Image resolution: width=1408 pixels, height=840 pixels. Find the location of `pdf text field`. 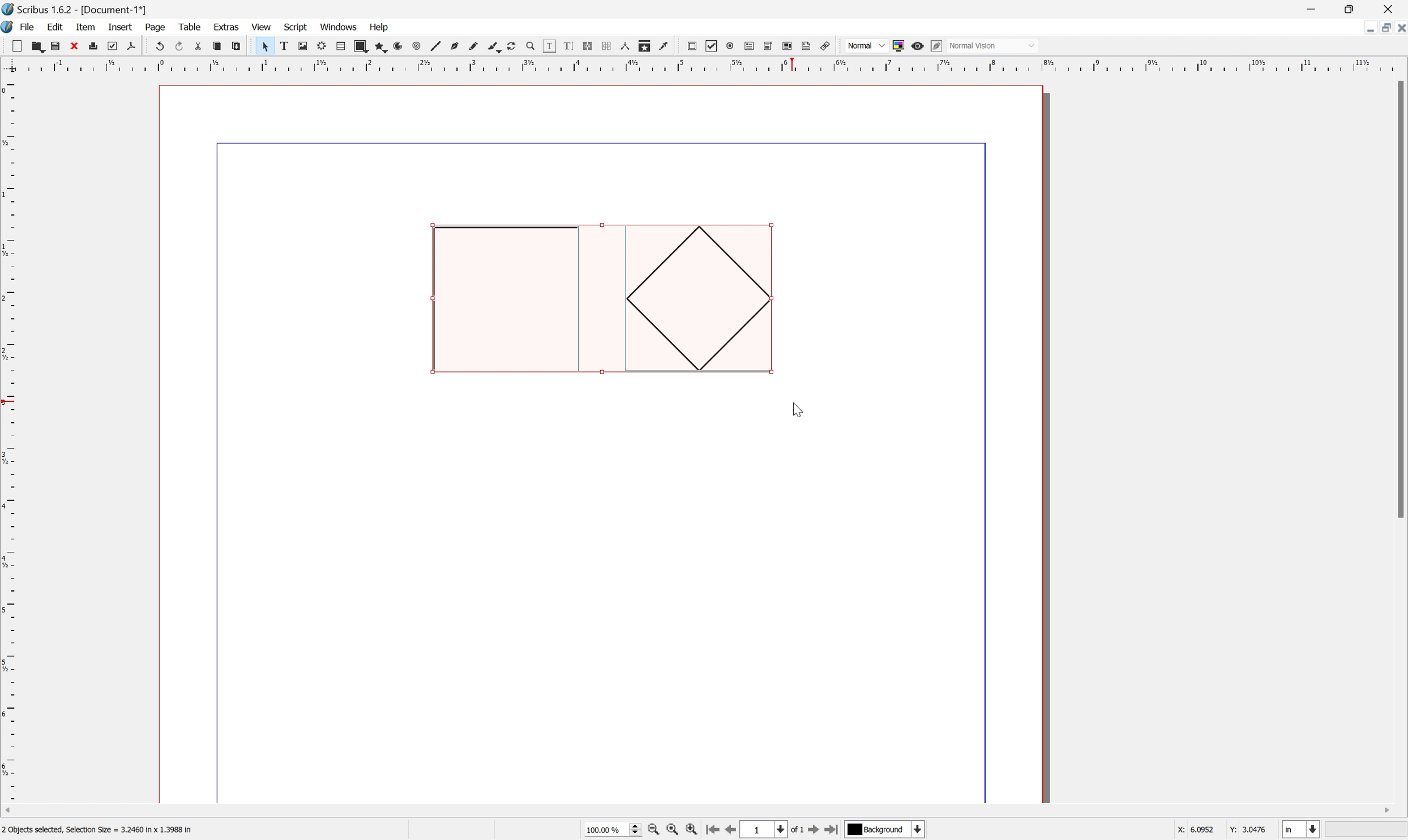

pdf text field is located at coordinates (748, 45).